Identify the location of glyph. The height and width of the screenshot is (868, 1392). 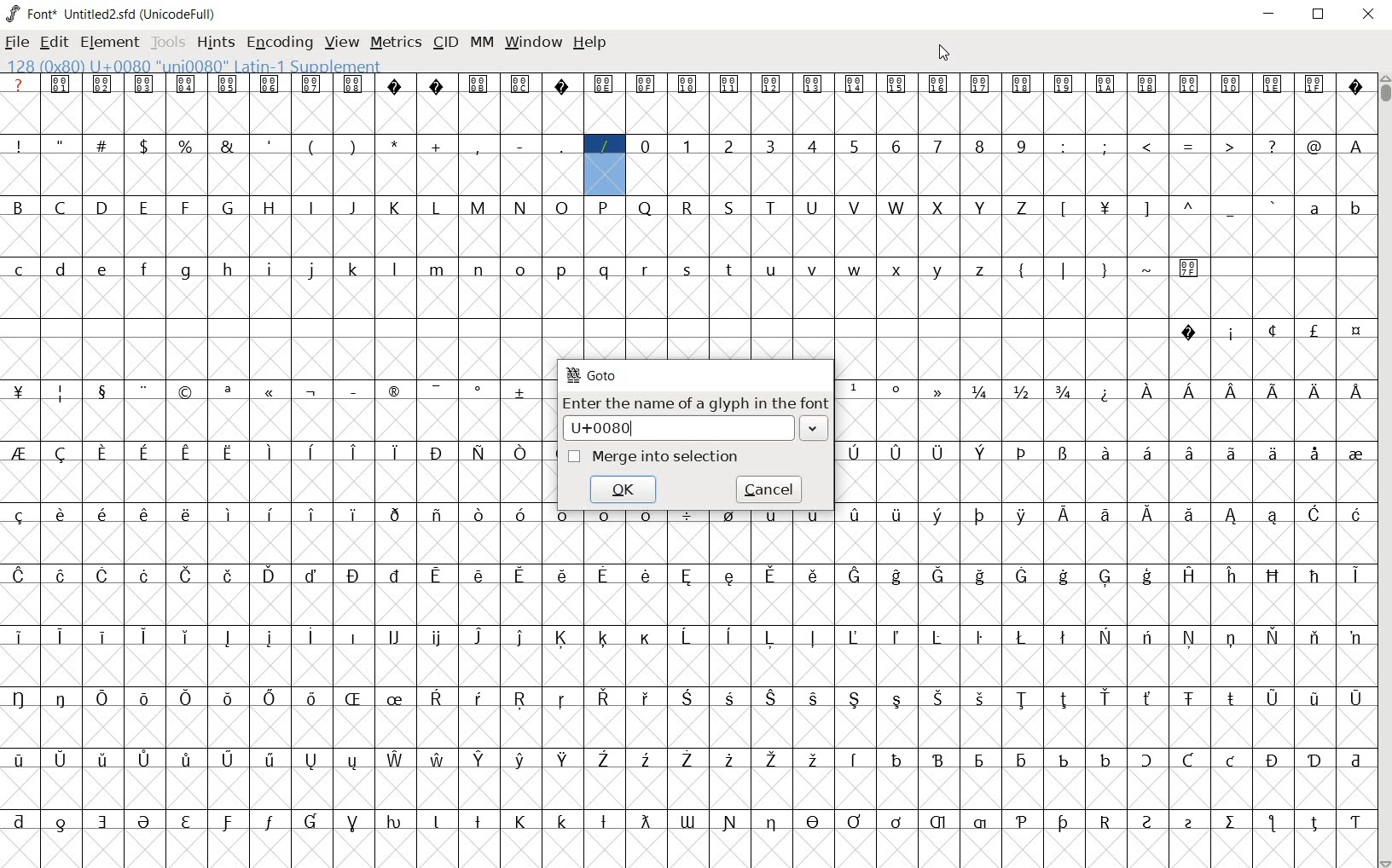
(1022, 822).